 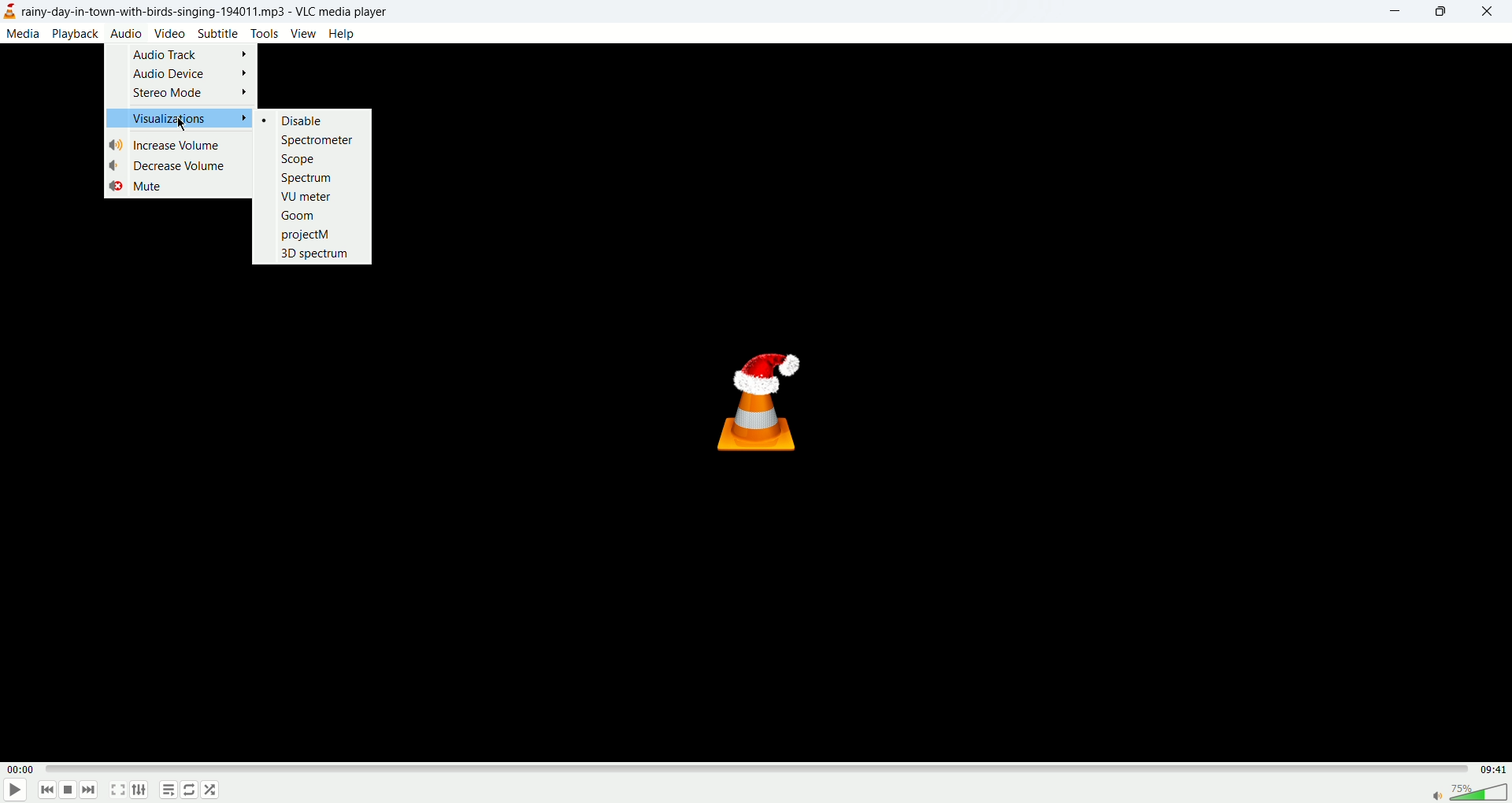 I want to click on loop, so click(x=188, y=791).